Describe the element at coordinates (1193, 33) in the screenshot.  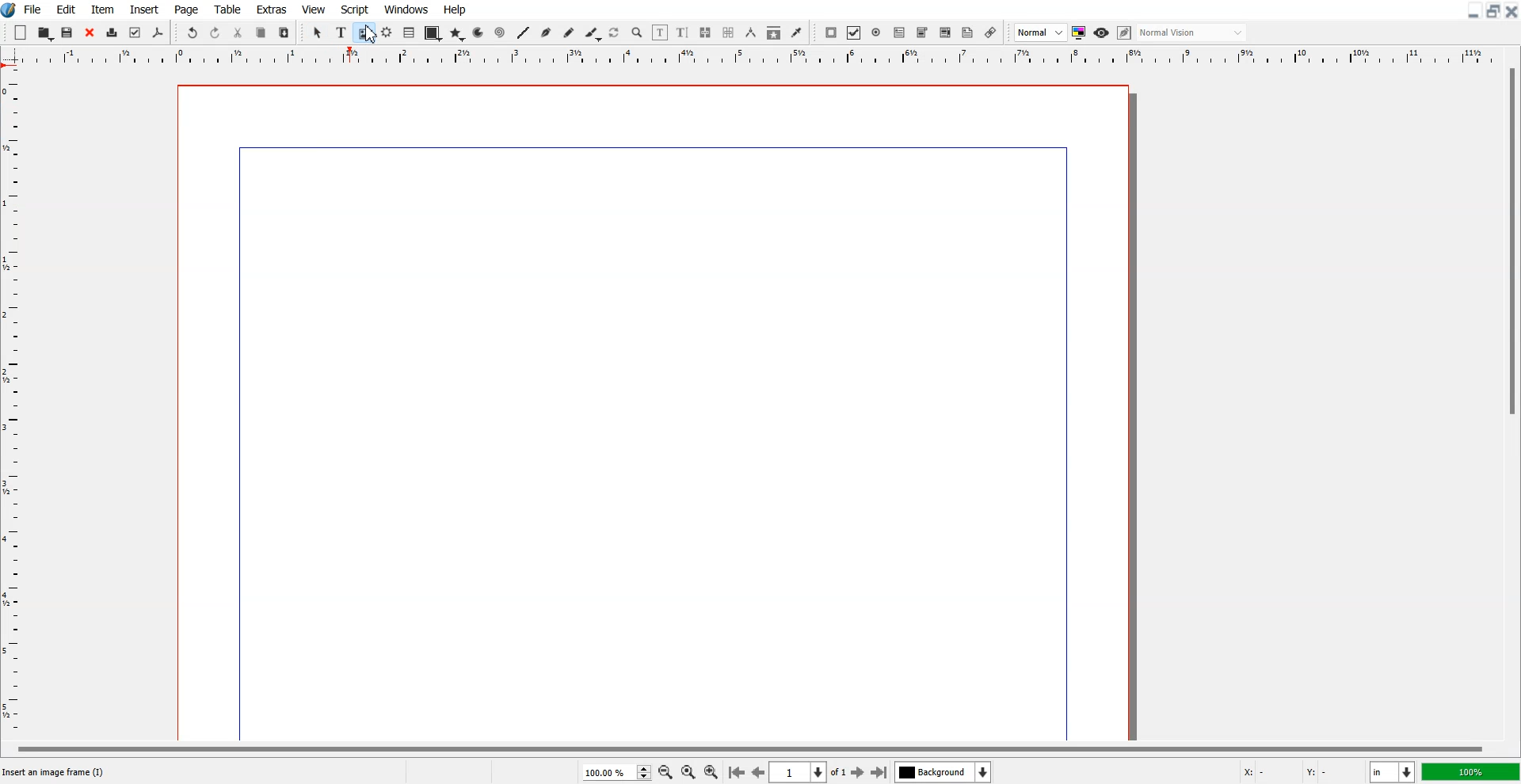
I see `Select the visual appearance` at that location.